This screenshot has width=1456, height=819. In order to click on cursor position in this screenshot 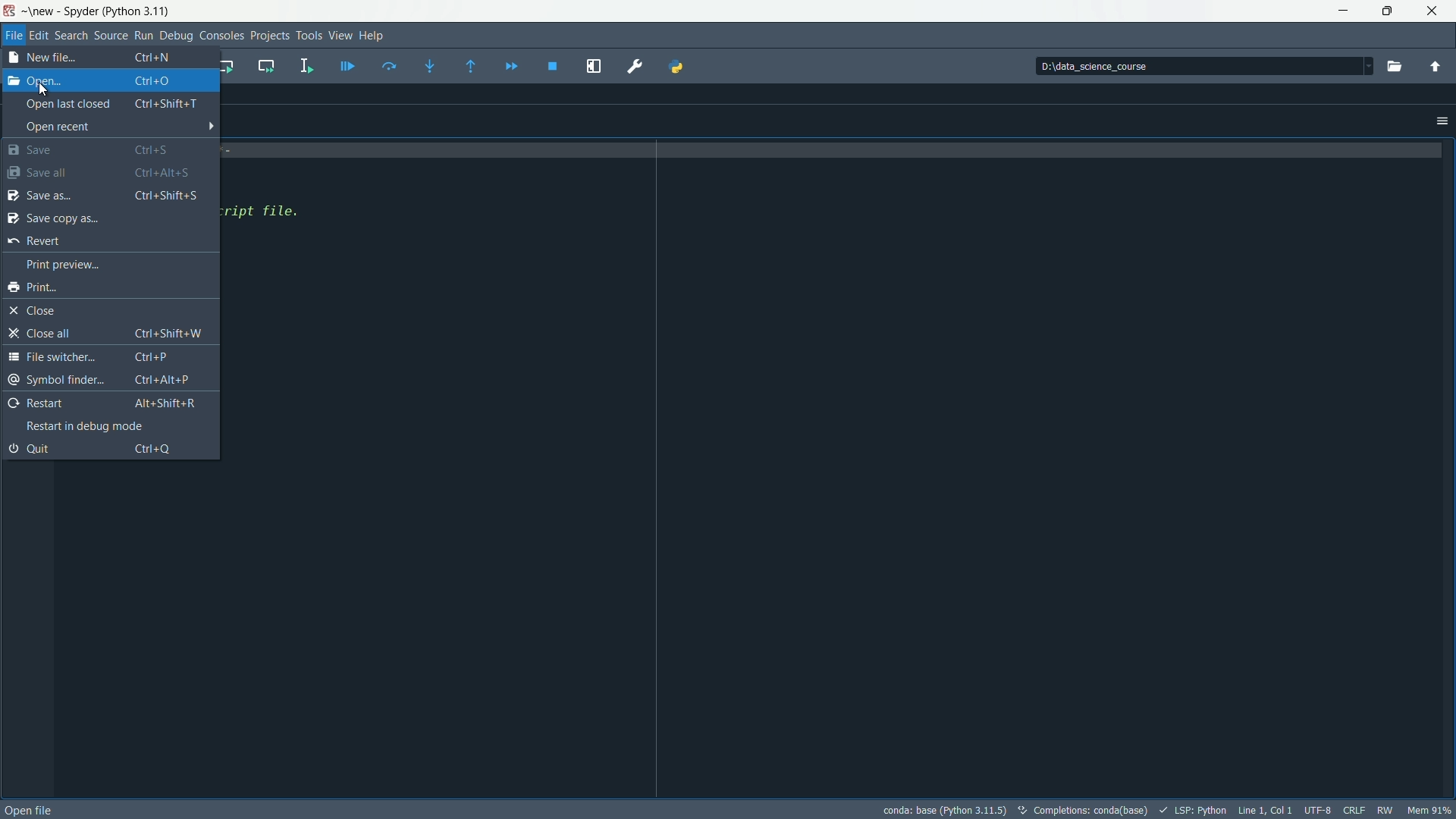, I will do `click(1266, 809)`.